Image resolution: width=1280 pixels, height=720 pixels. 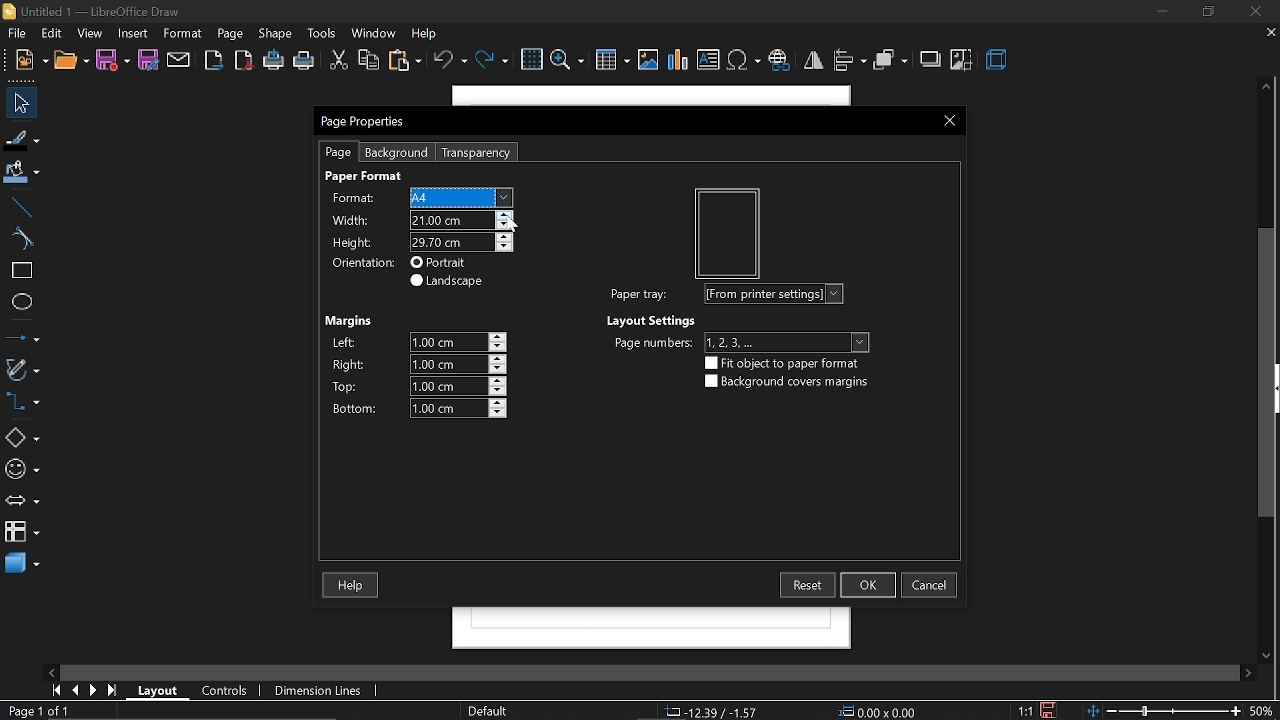 I want to click on 1.00cm, so click(x=459, y=408).